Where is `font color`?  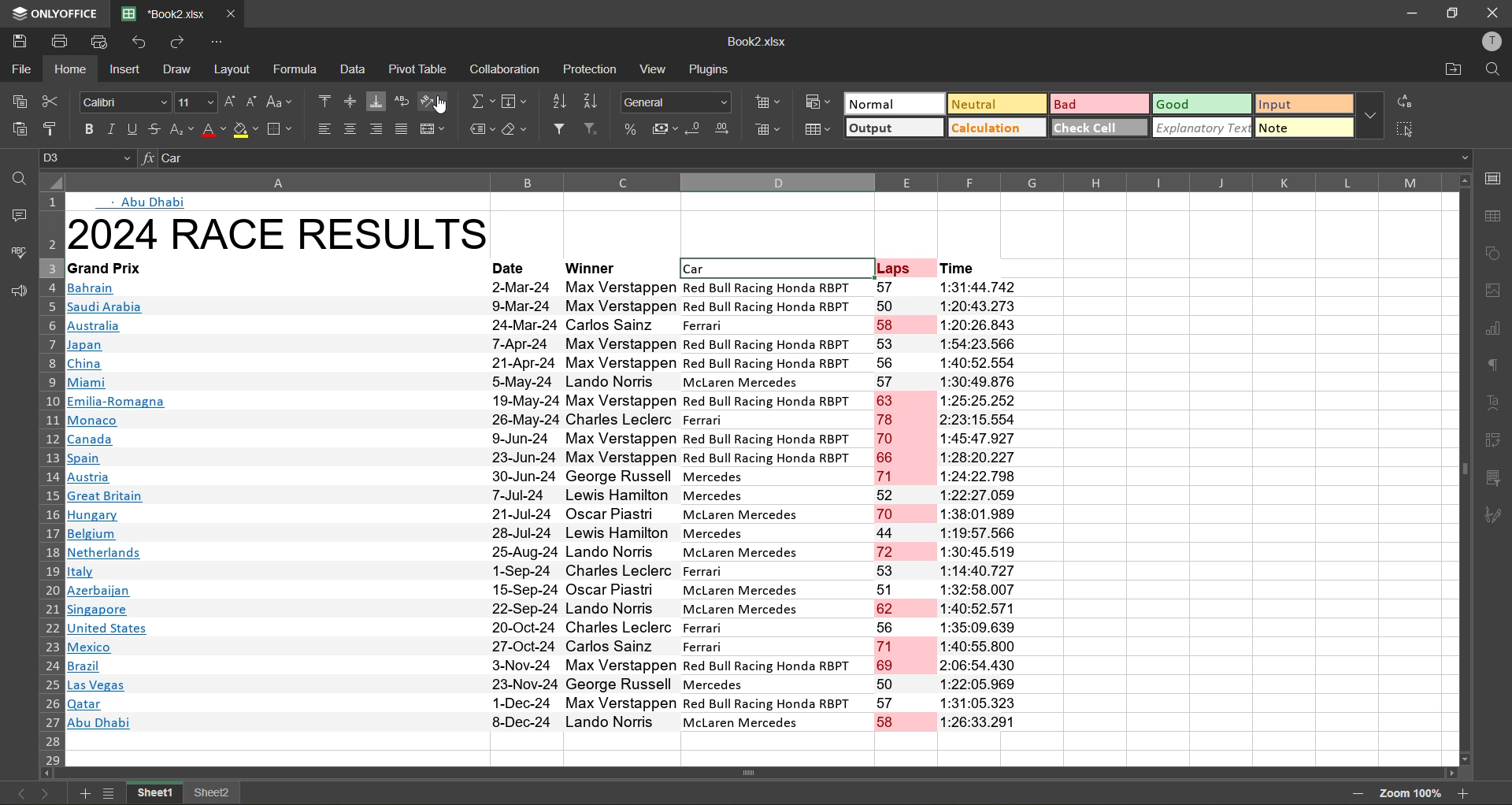 font color is located at coordinates (215, 132).